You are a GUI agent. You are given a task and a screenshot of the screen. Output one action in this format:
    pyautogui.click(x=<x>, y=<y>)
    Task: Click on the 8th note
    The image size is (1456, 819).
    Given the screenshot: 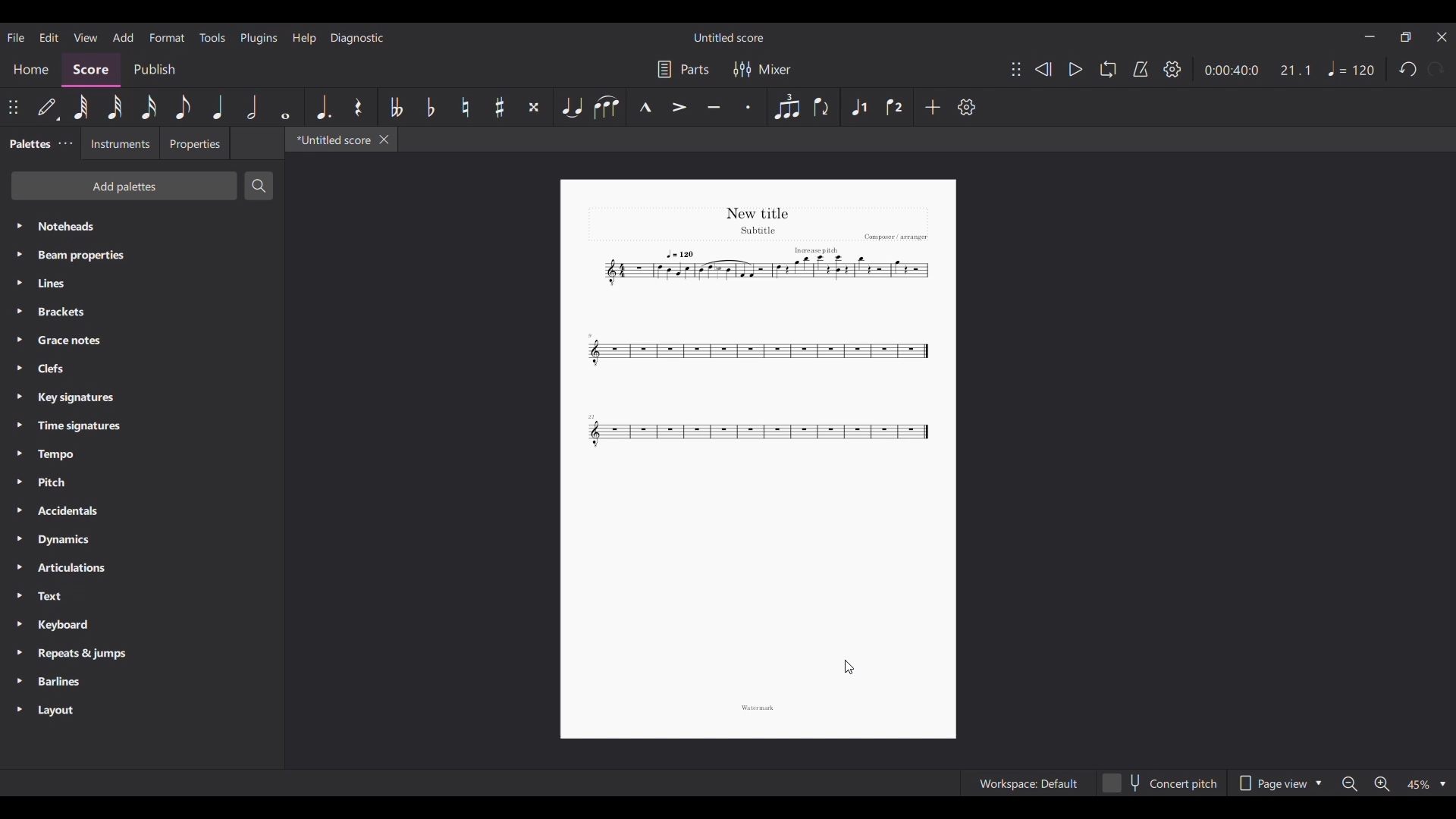 What is the action you would take?
    pyautogui.click(x=183, y=107)
    